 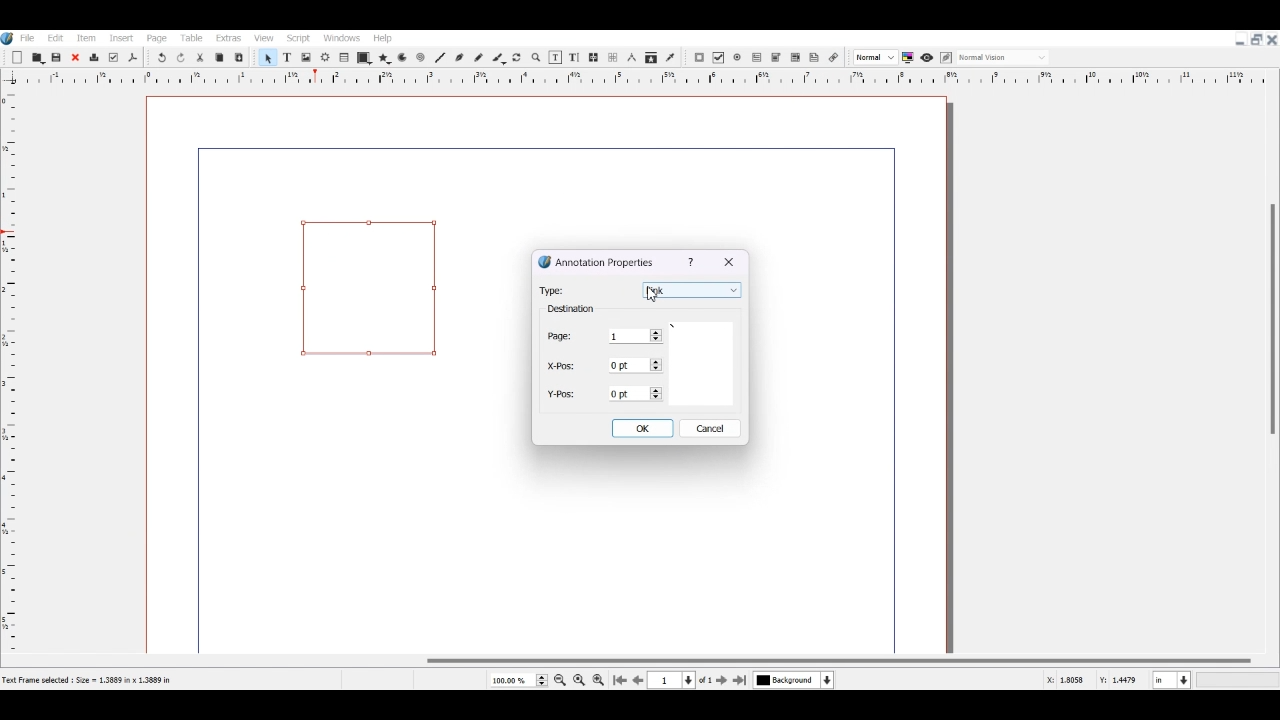 What do you see at coordinates (628, 79) in the screenshot?
I see `Vertical scale` at bounding box center [628, 79].